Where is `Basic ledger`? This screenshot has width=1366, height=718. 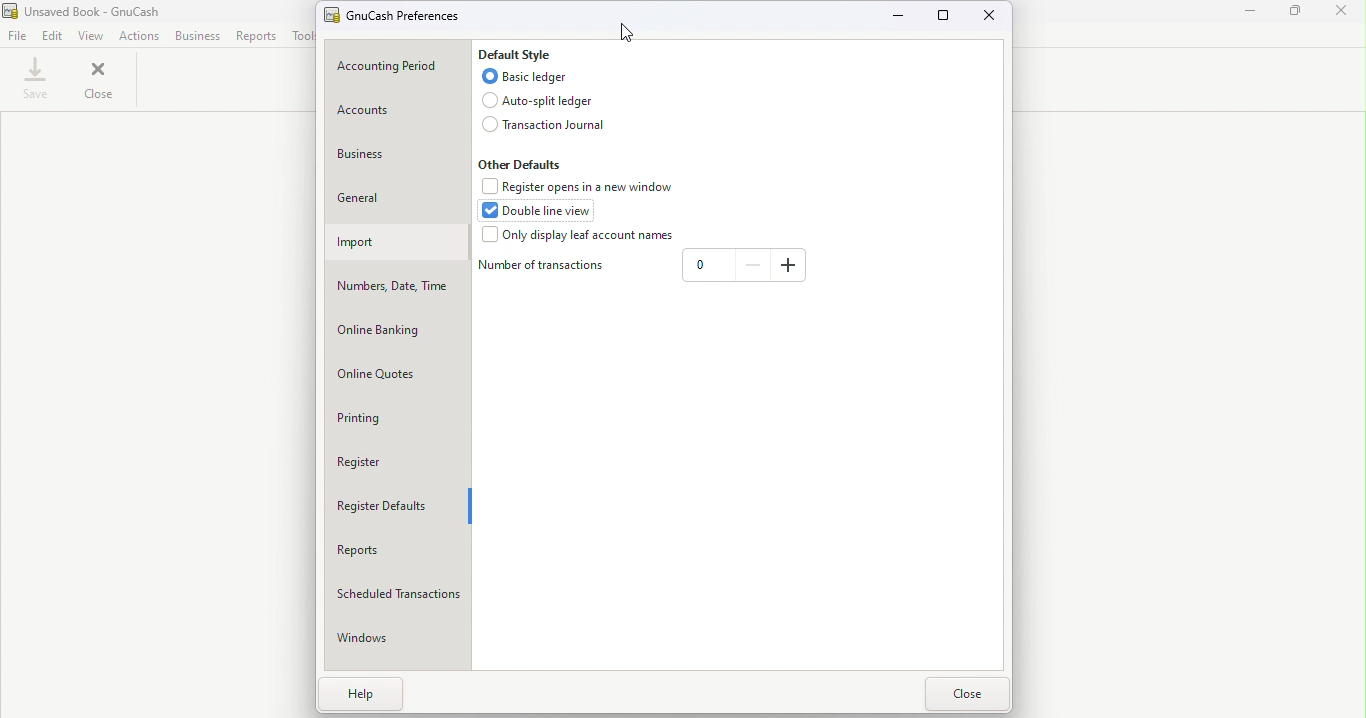
Basic ledger is located at coordinates (531, 77).